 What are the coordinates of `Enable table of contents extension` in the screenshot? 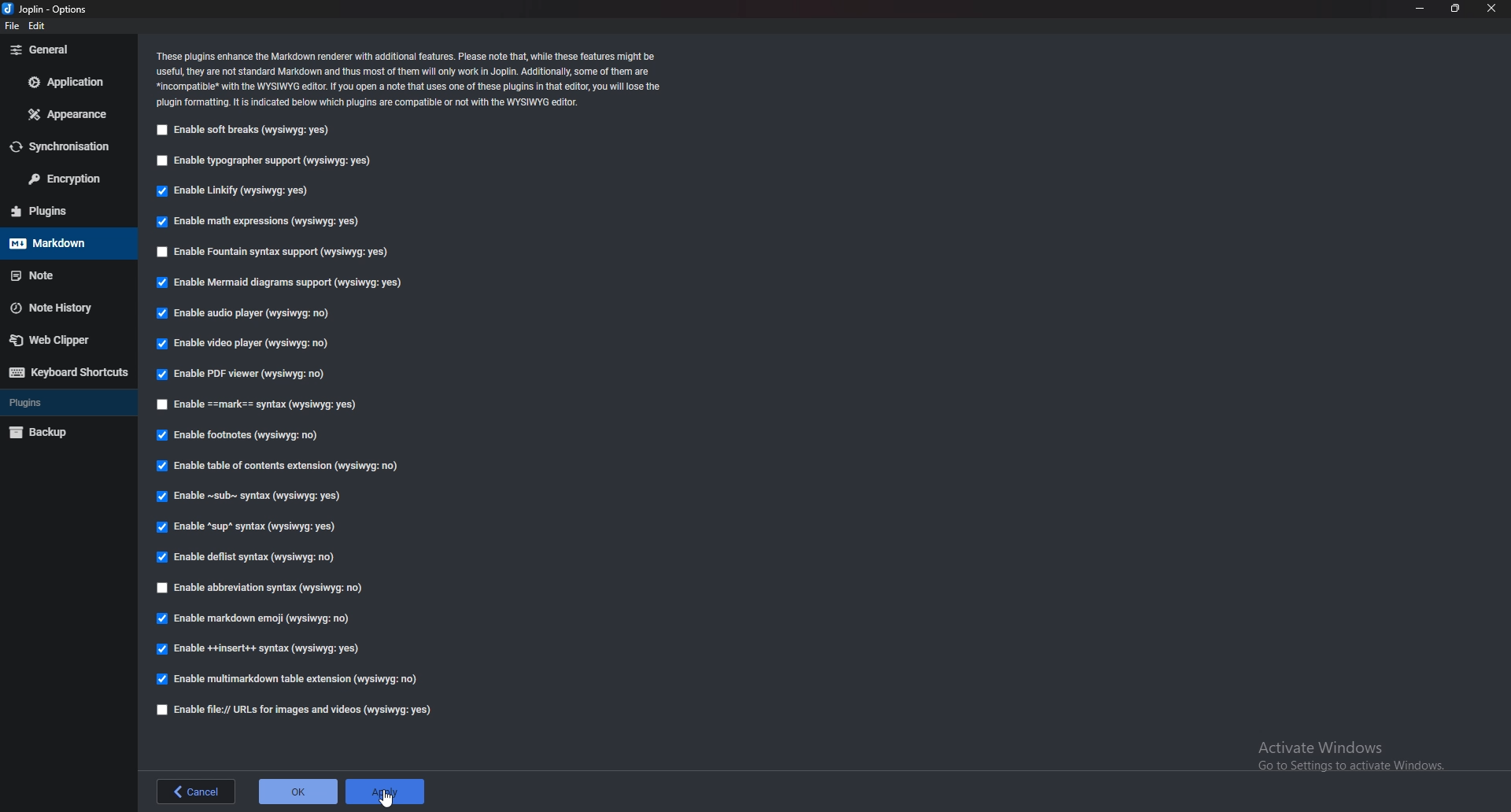 It's located at (281, 465).